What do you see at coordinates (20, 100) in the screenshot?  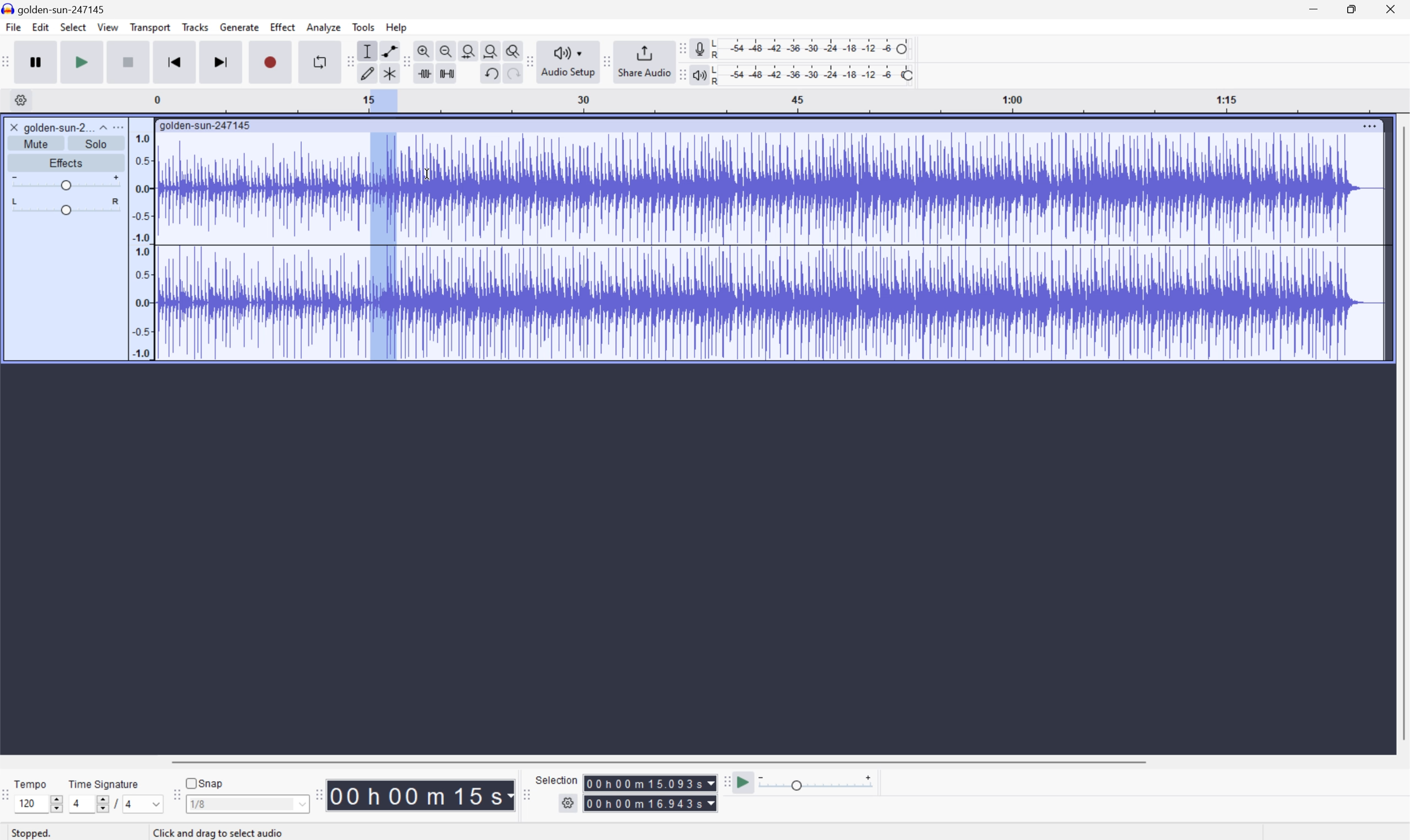 I see `settings` at bounding box center [20, 100].